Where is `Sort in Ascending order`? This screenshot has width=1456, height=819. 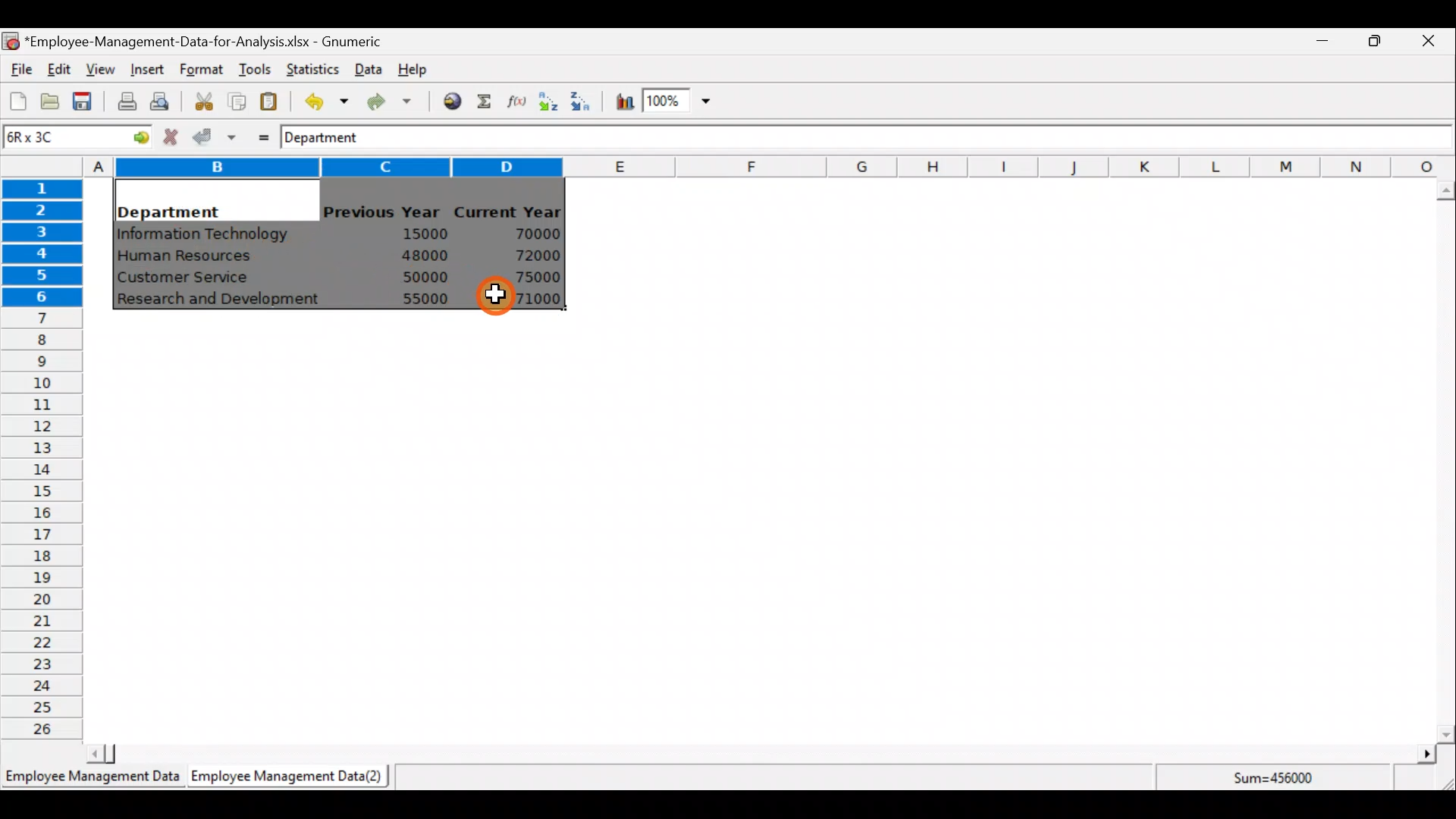
Sort in Ascending order is located at coordinates (548, 101).